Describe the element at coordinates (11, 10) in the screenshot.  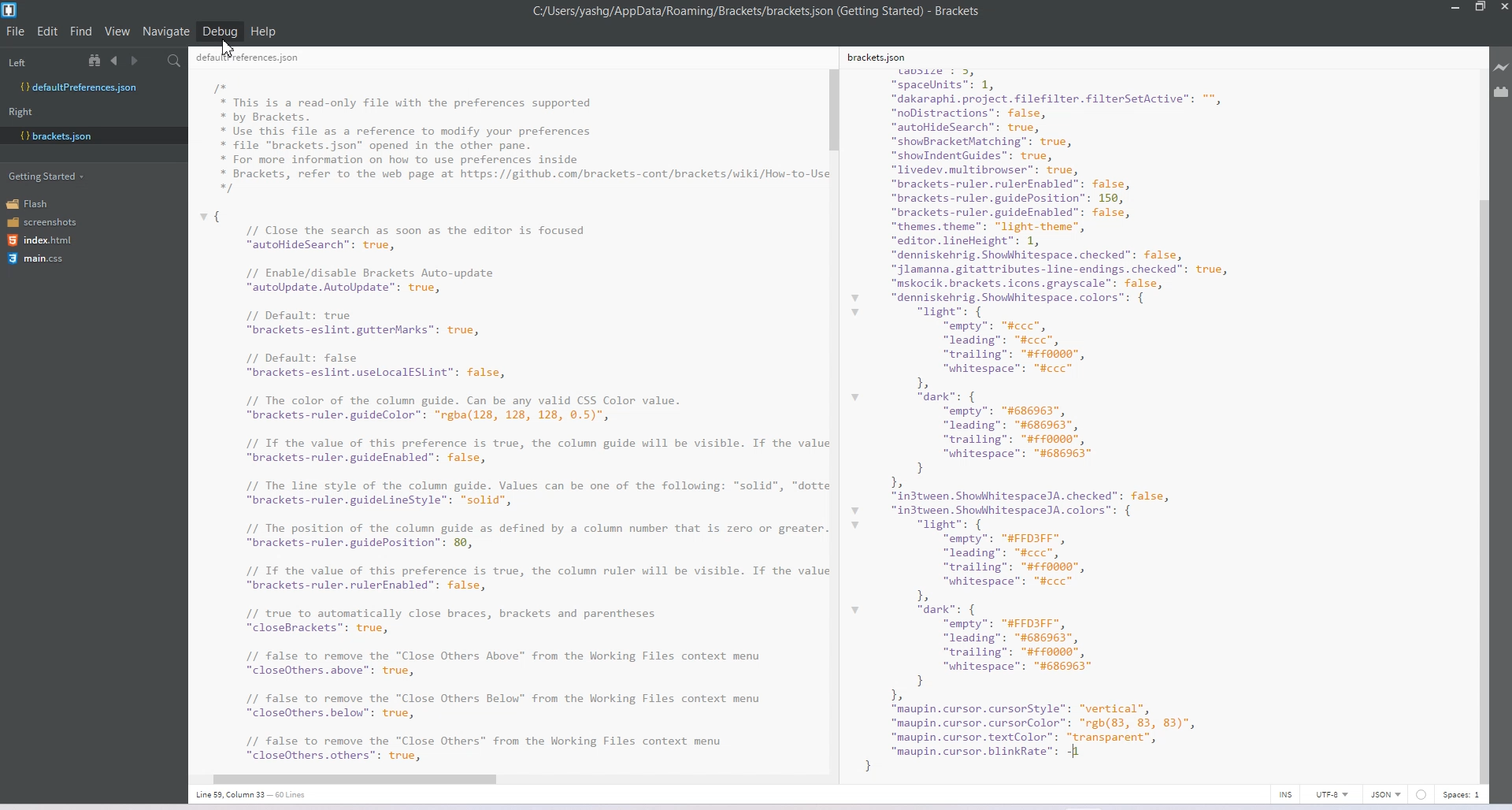
I see `Logo` at that location.